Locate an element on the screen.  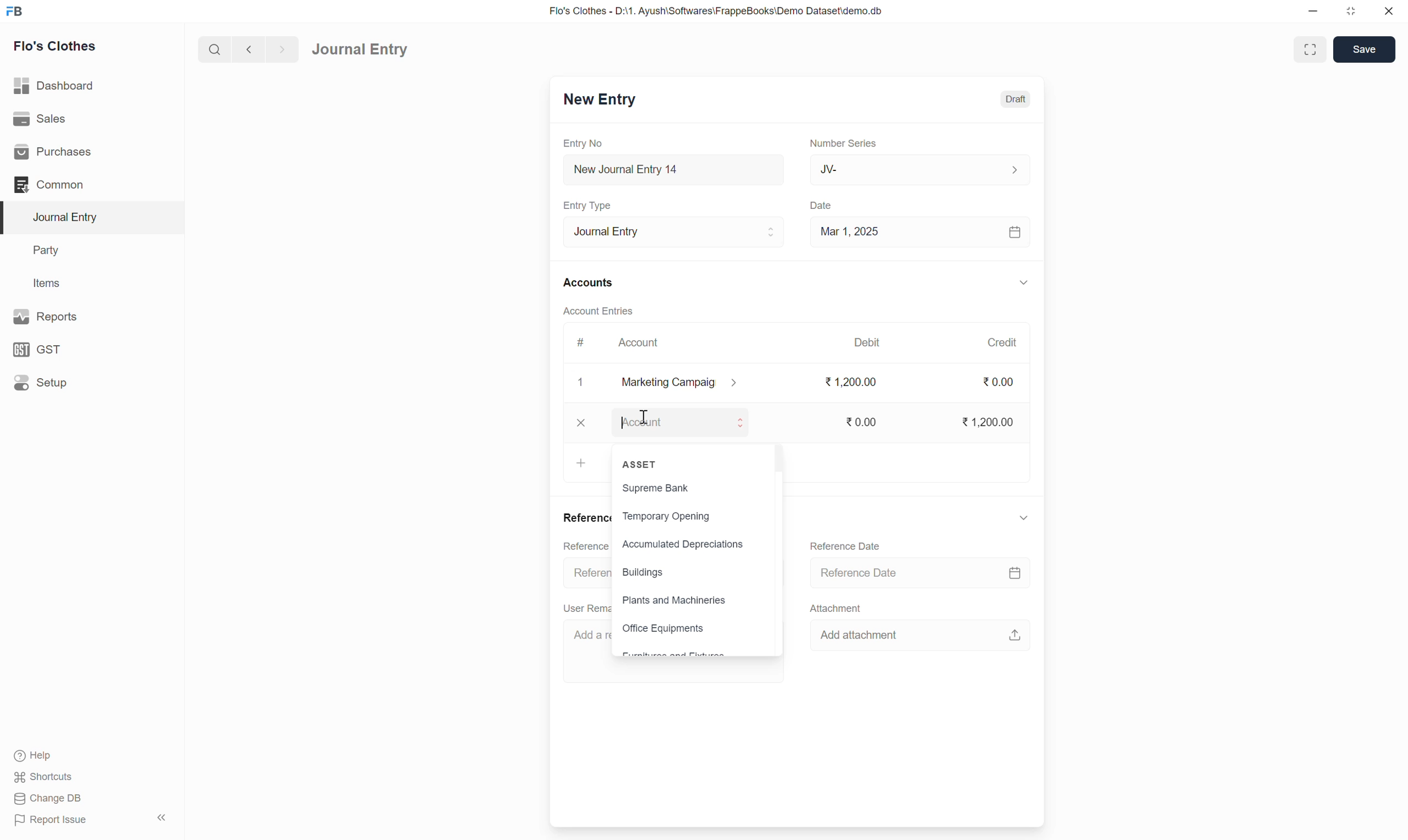
Date is located at coordinates (824, 206).